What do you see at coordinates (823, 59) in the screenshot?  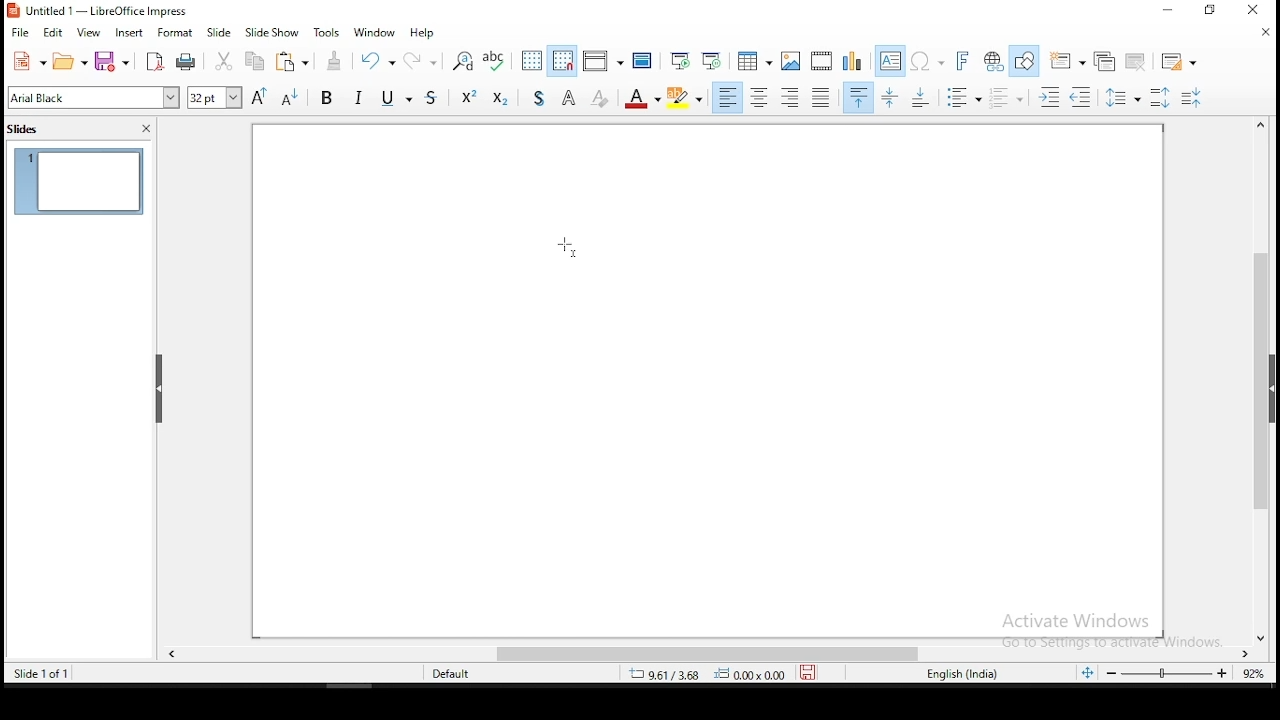 I see `insert audio or video` at bounding box center [823, 59].